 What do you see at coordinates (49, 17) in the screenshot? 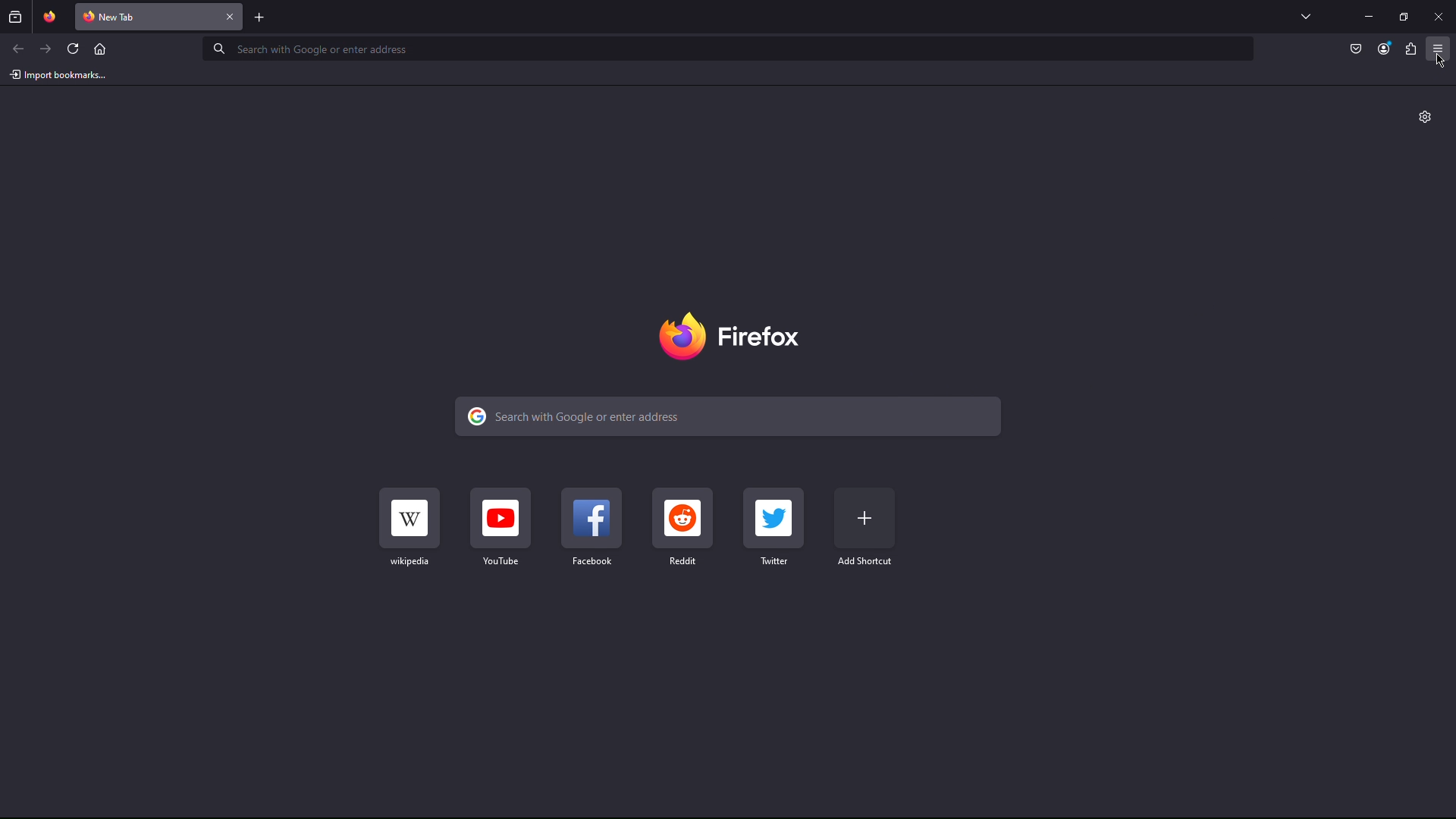
I see `Pinned Tab` at bounding box center [49, 17].